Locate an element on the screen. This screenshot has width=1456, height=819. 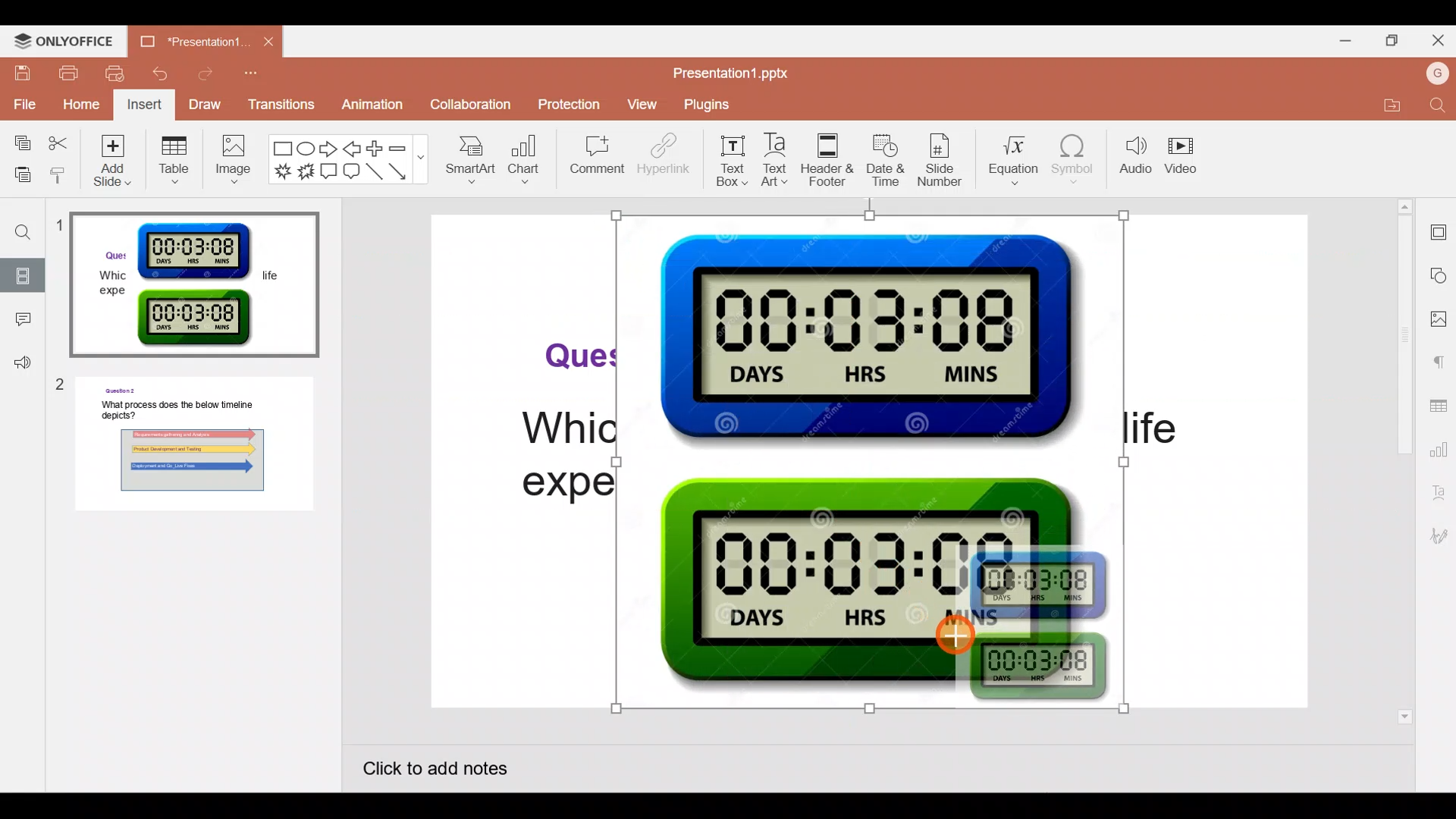
Explosion 2 is located at coordinates (304, 169).